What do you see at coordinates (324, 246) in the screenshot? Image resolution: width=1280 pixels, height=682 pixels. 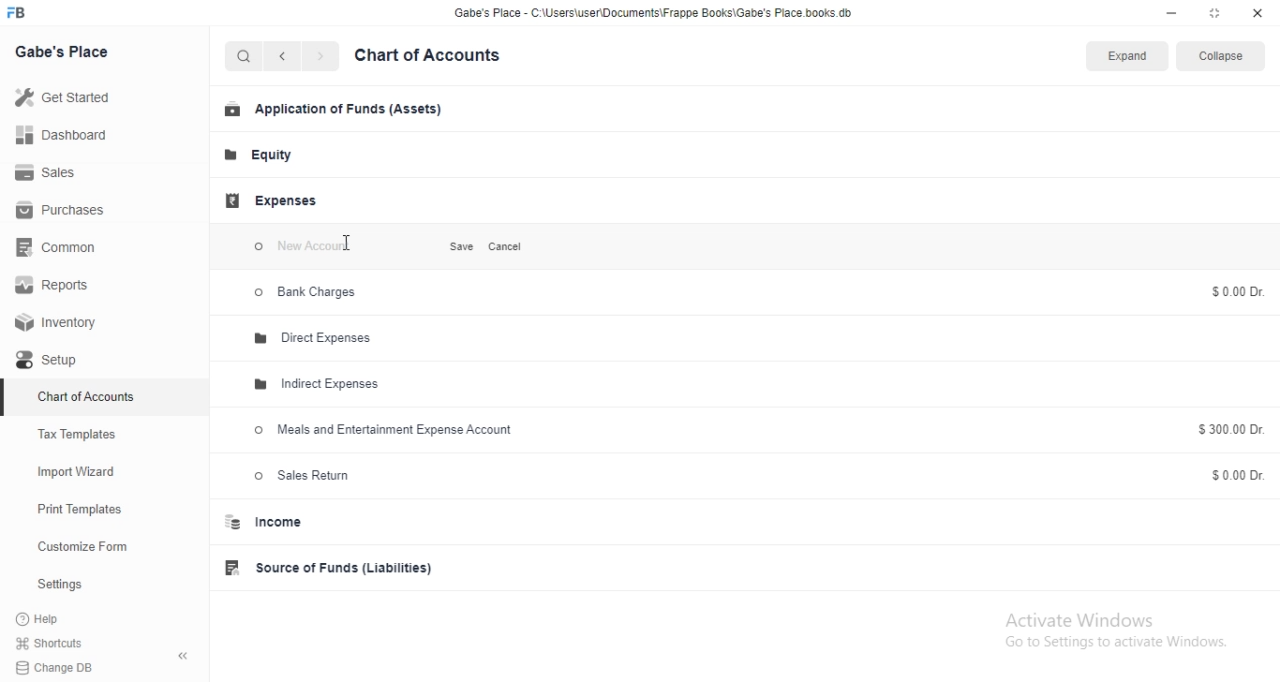 I see `New account` at bounding box center [324, 246].